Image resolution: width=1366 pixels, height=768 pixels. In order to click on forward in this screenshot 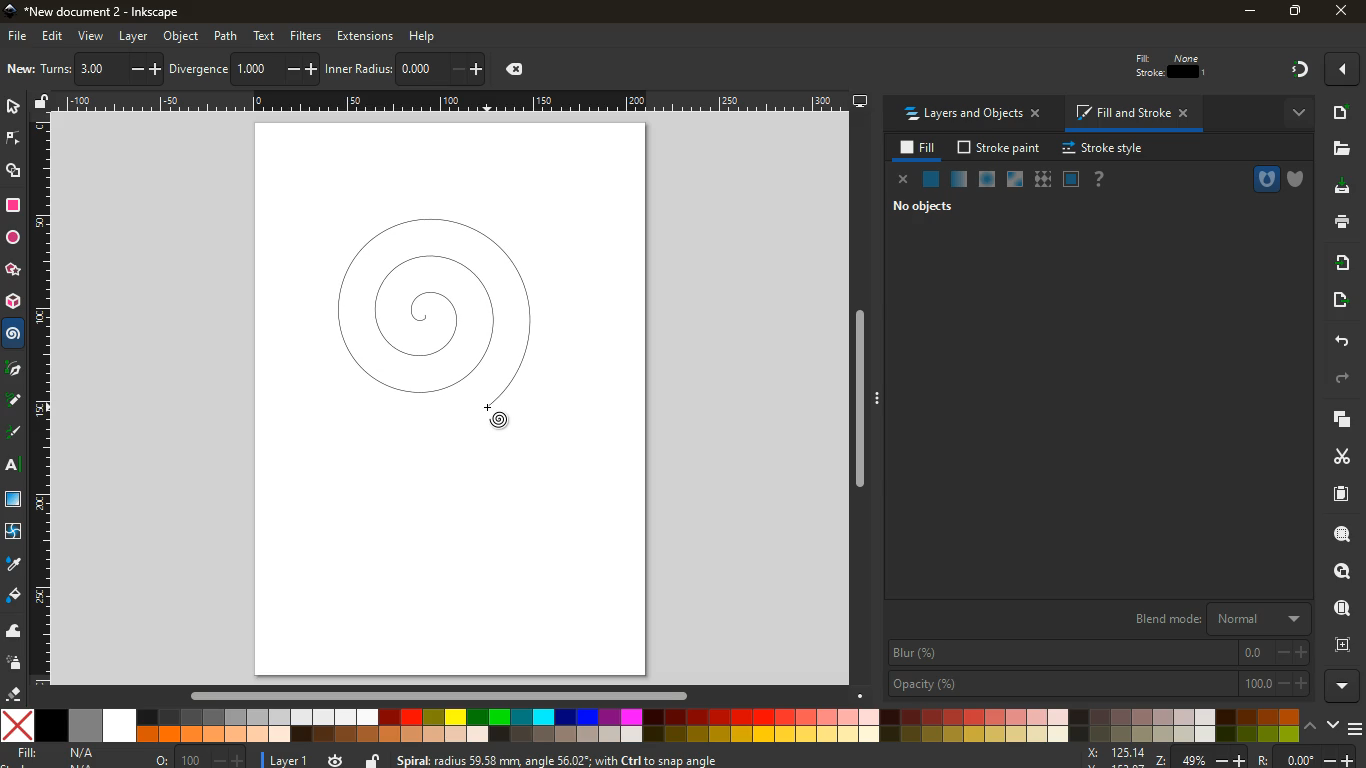, I will do `click(1347, 379)`.